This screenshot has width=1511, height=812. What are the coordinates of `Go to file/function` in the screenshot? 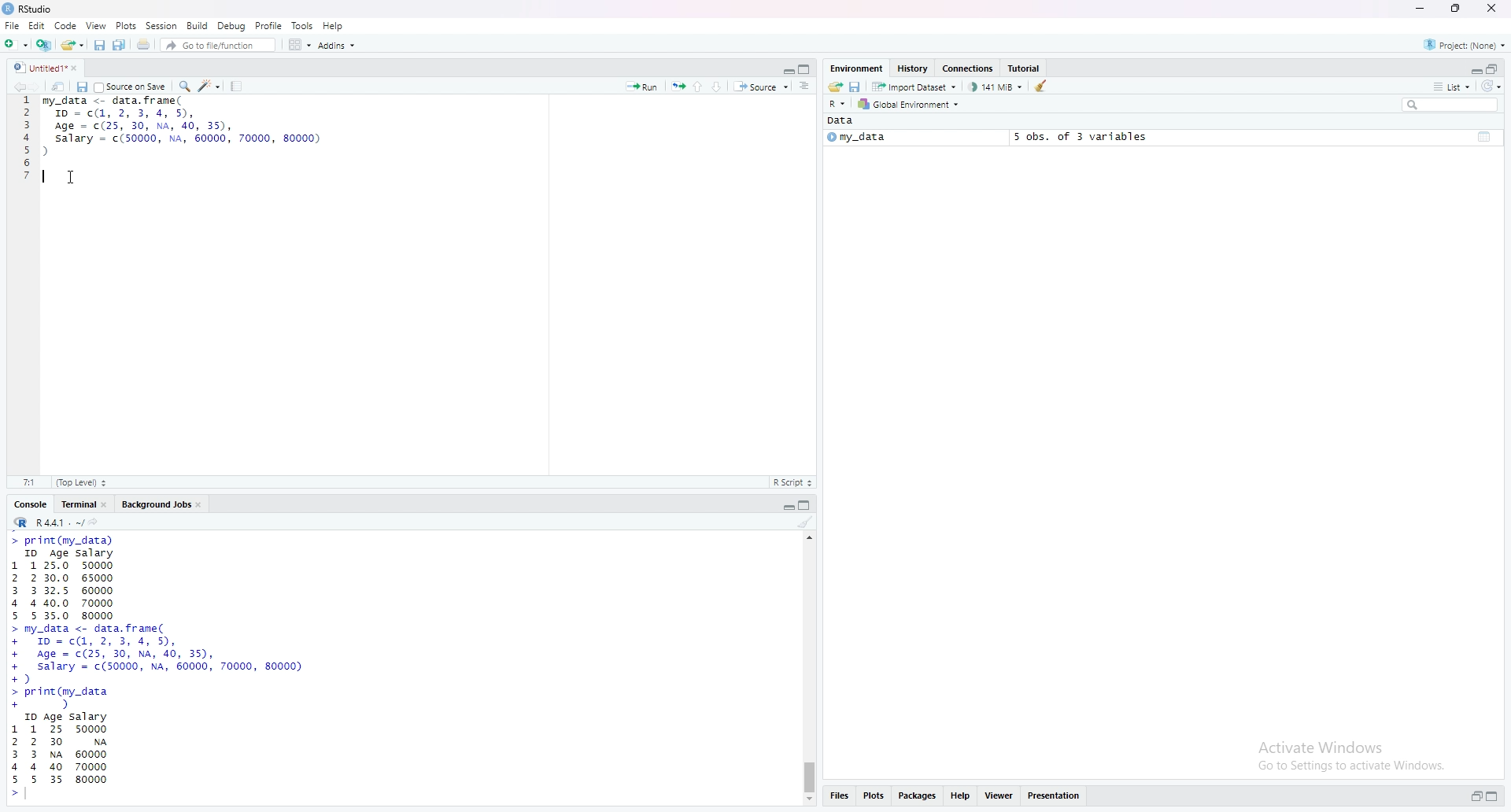 It's located at (219, 46).